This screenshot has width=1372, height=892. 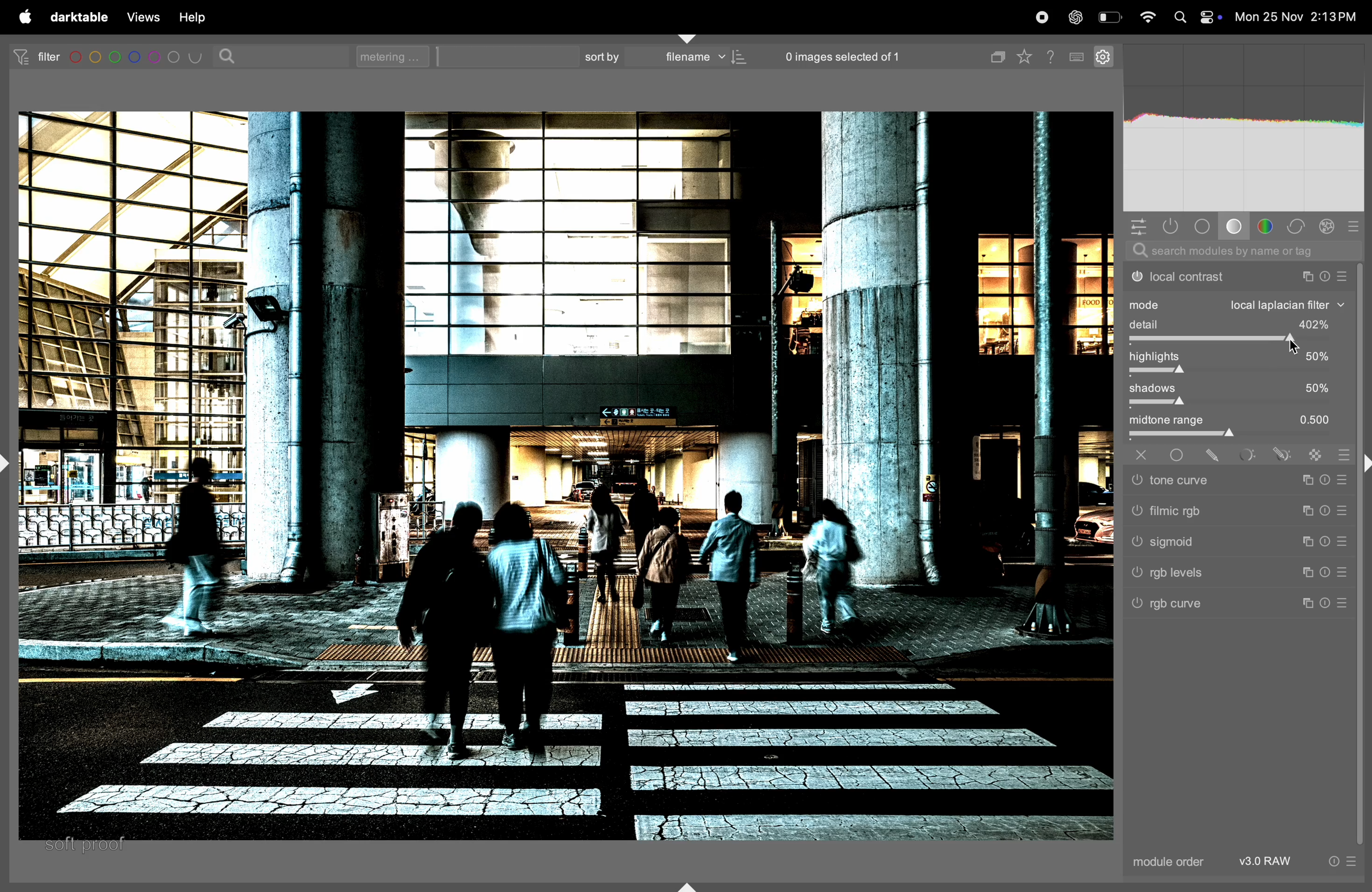 What do you see at coordinates (1249, 455) in the screenshot?
I see `parametric mask` at bounding box center [1249, 455].